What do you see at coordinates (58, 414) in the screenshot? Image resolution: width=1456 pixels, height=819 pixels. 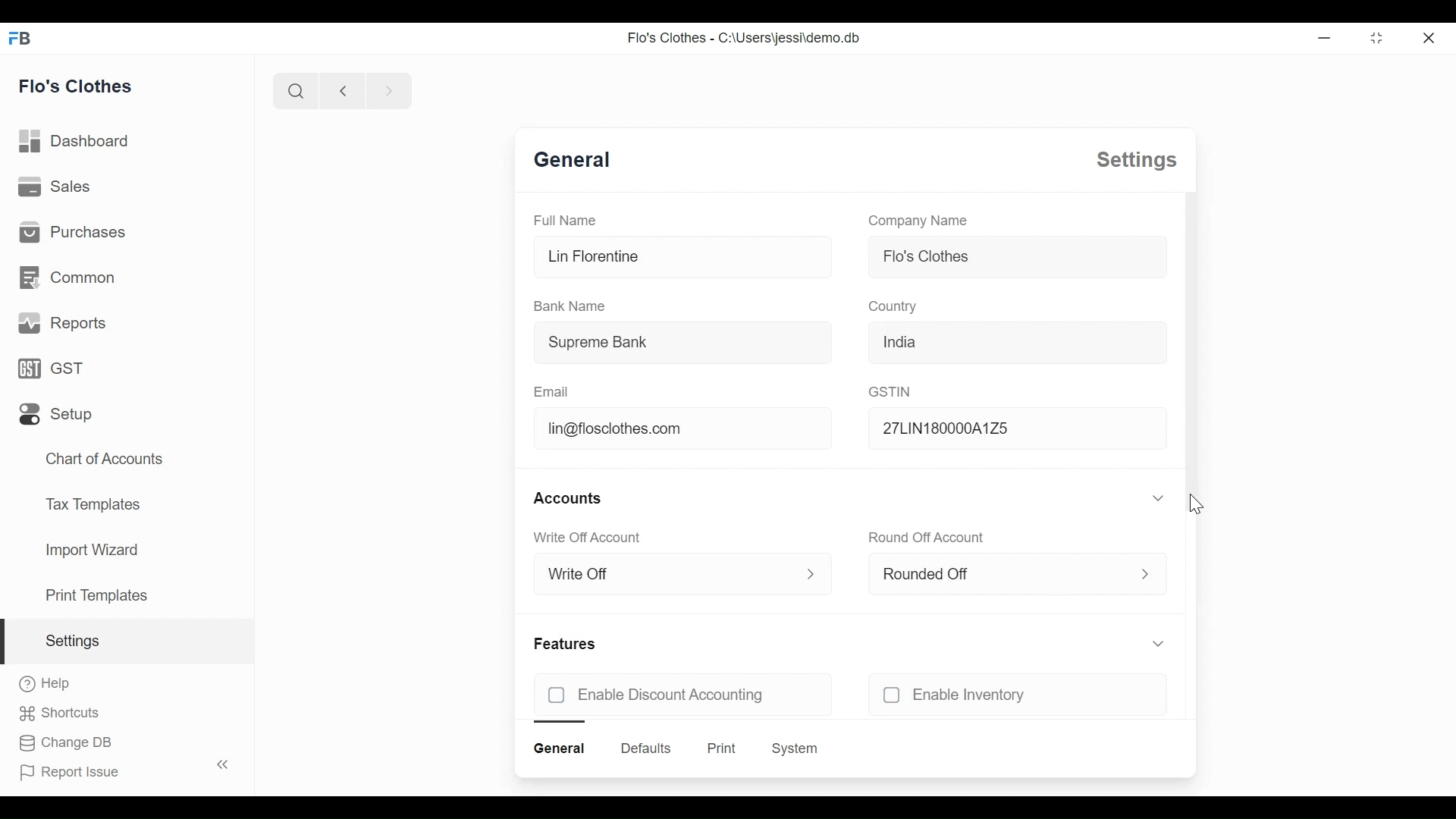 I see `Setup` at bounding box center [58, 414].